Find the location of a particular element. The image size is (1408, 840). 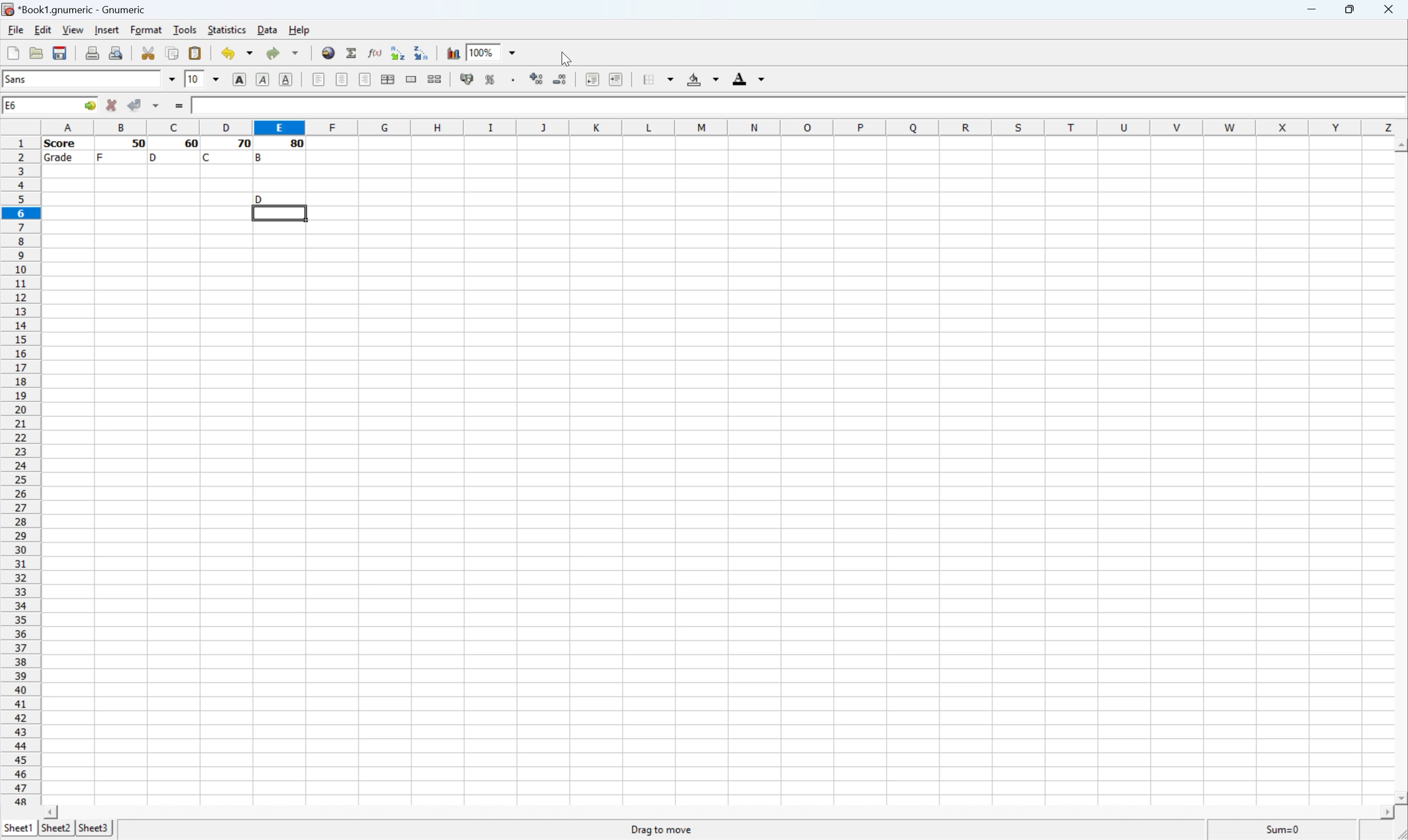

Sheet 1 is located at coordinates (18, 828).